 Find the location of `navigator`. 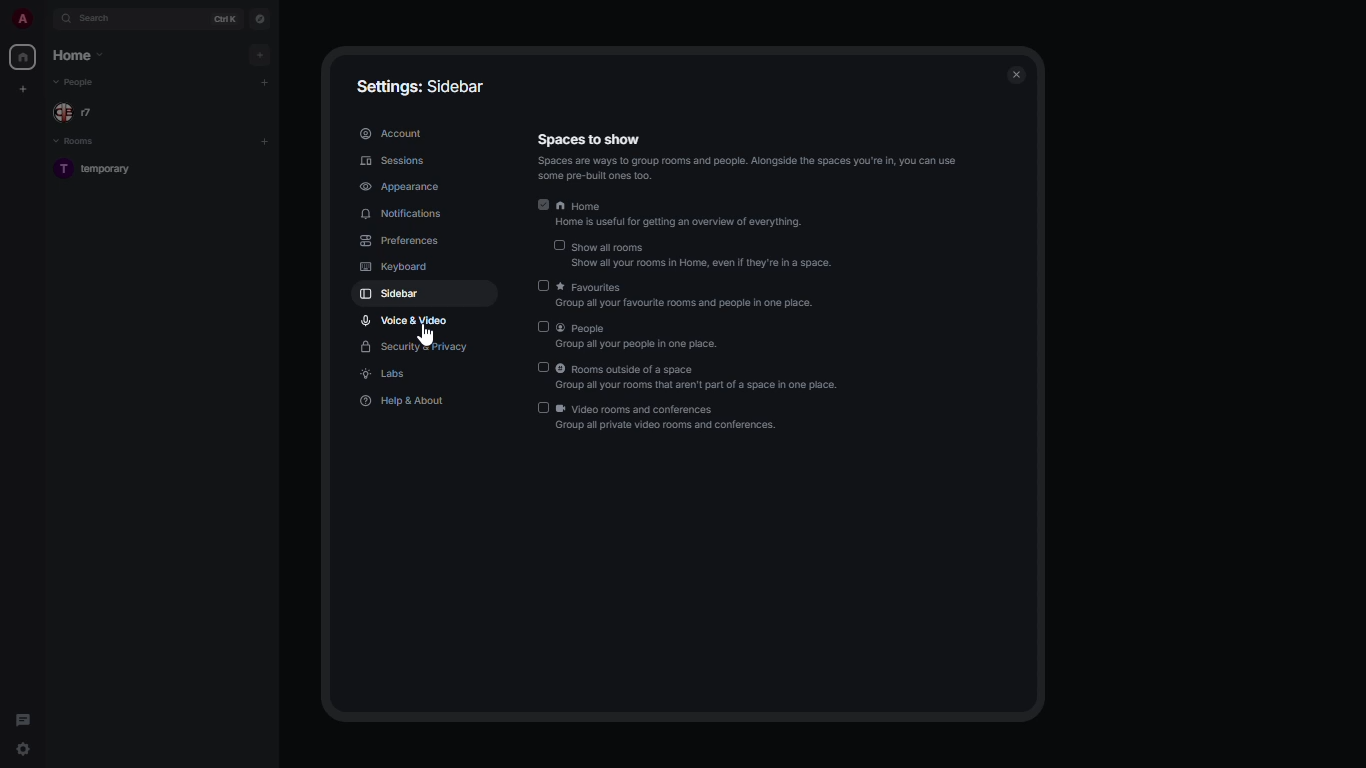

navigator is located at coordinates (258, 20).